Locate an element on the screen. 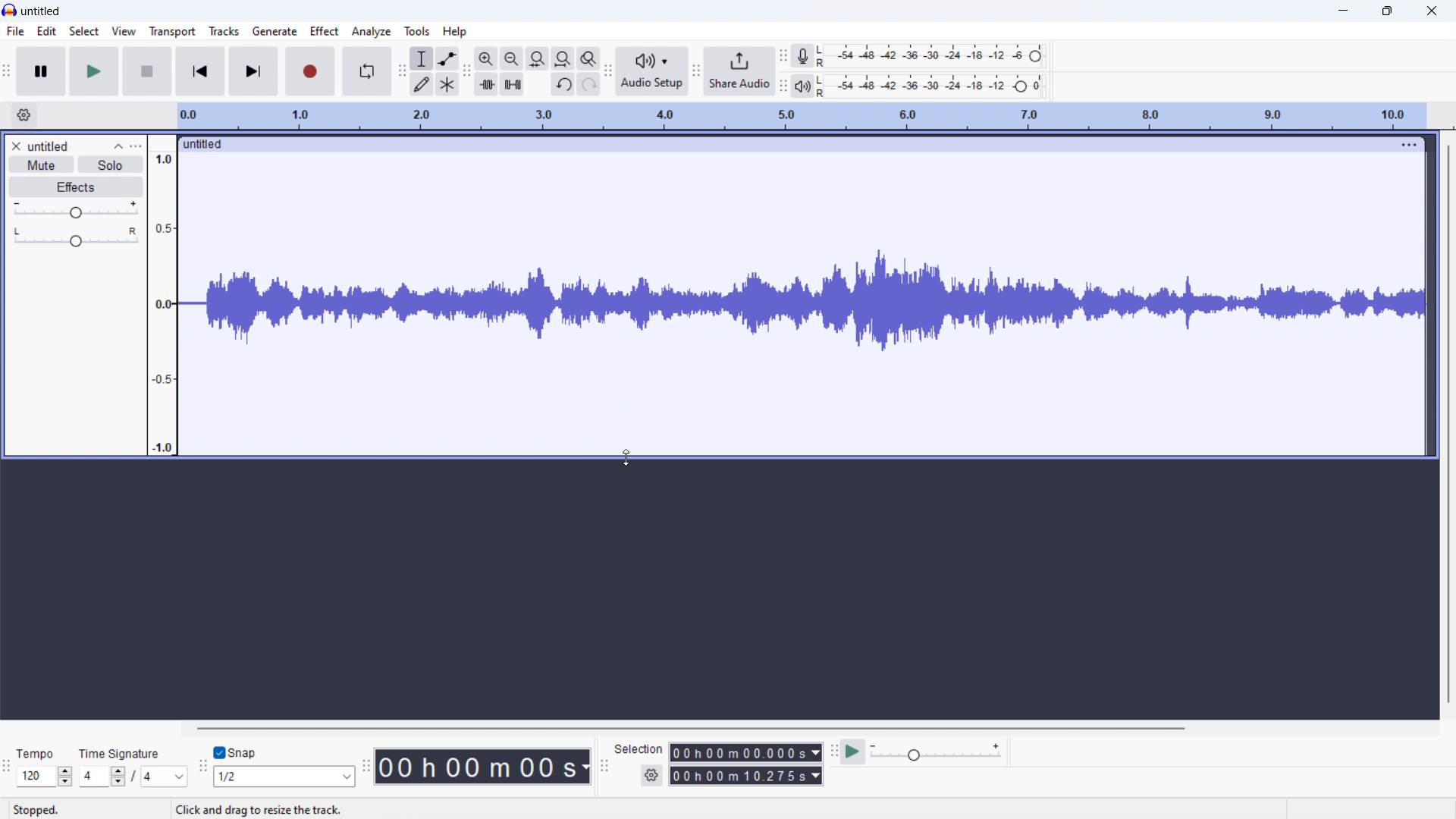 Image resolution: width=1456 pixels, height=819 pixels. end time is located at coordinates (745, 777).